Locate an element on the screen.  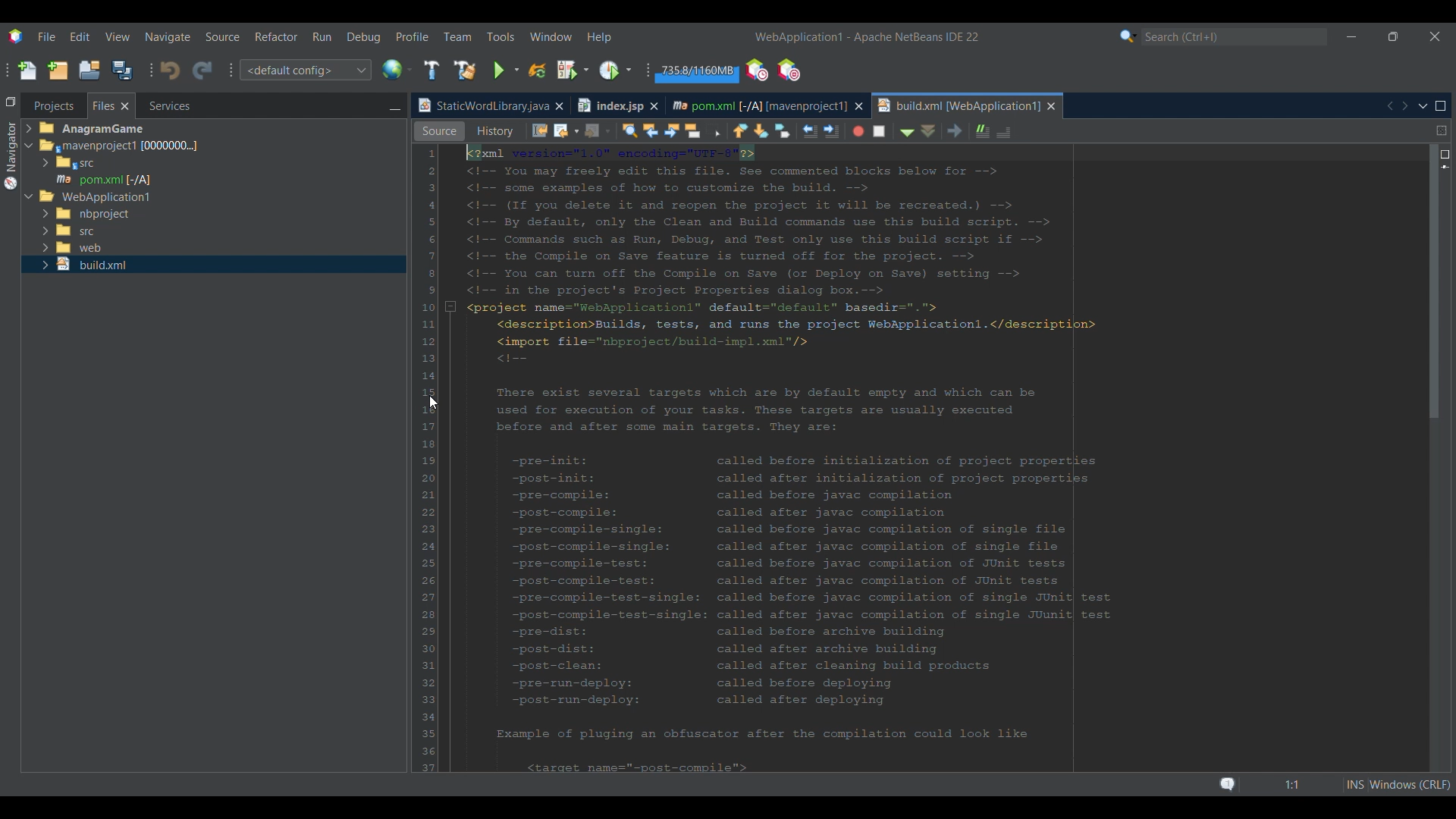
Debug main project is located at coordinates (573, 70).